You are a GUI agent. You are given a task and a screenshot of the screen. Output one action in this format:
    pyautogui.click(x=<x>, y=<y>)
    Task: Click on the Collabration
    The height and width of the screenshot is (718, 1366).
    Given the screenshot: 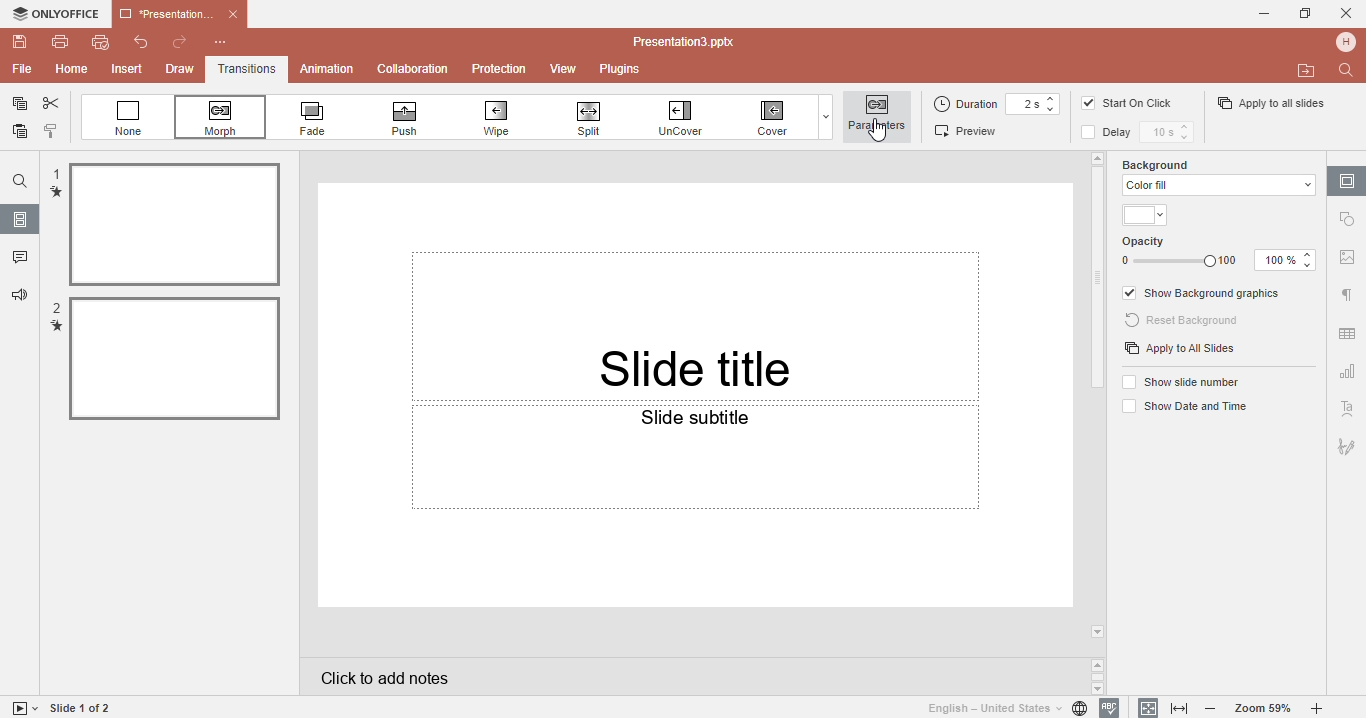 What is the action you would take?
    pyautogui.click(x=413, y=70)
    